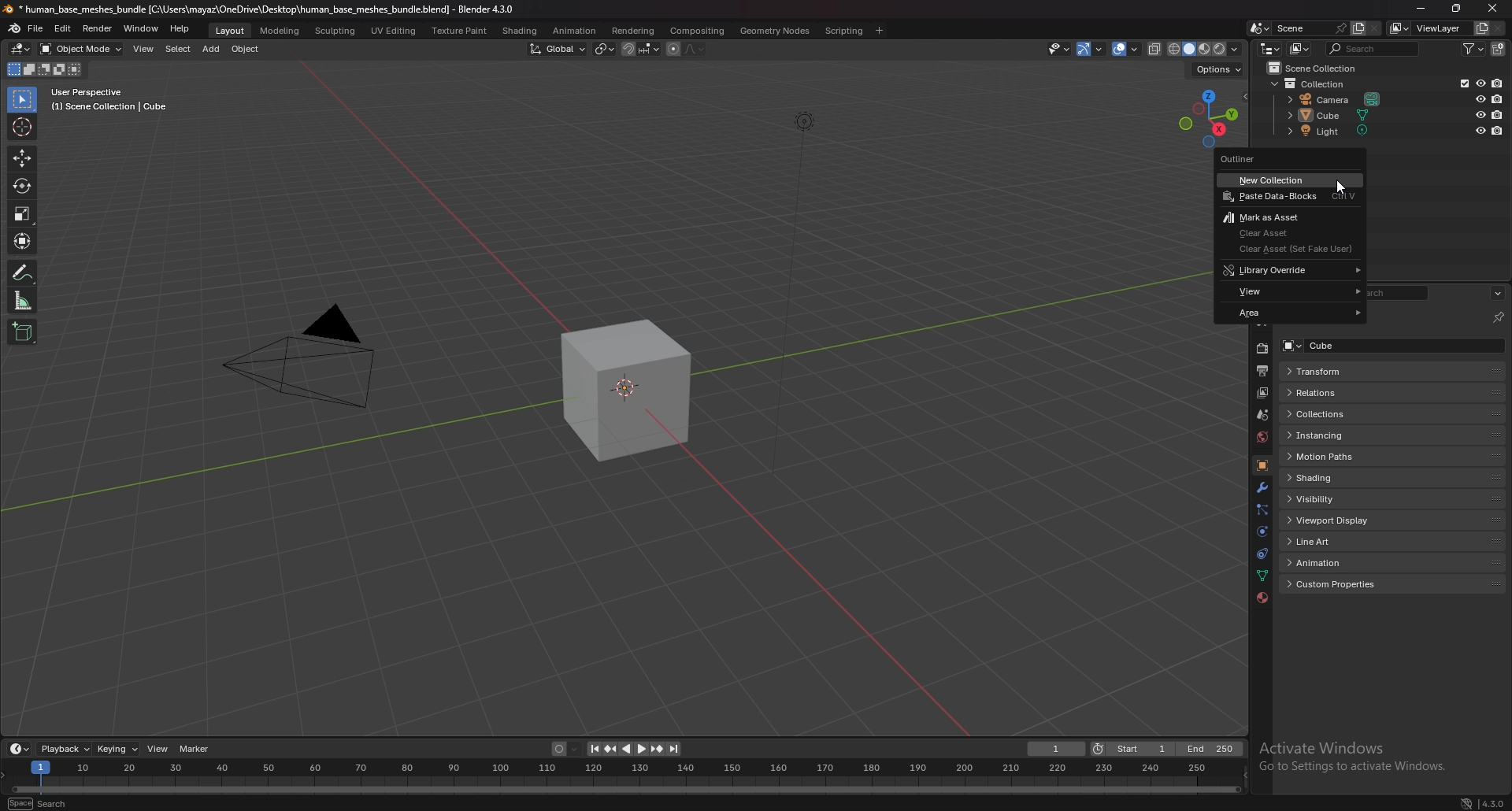  I want to click on light, so click(1341, 130).